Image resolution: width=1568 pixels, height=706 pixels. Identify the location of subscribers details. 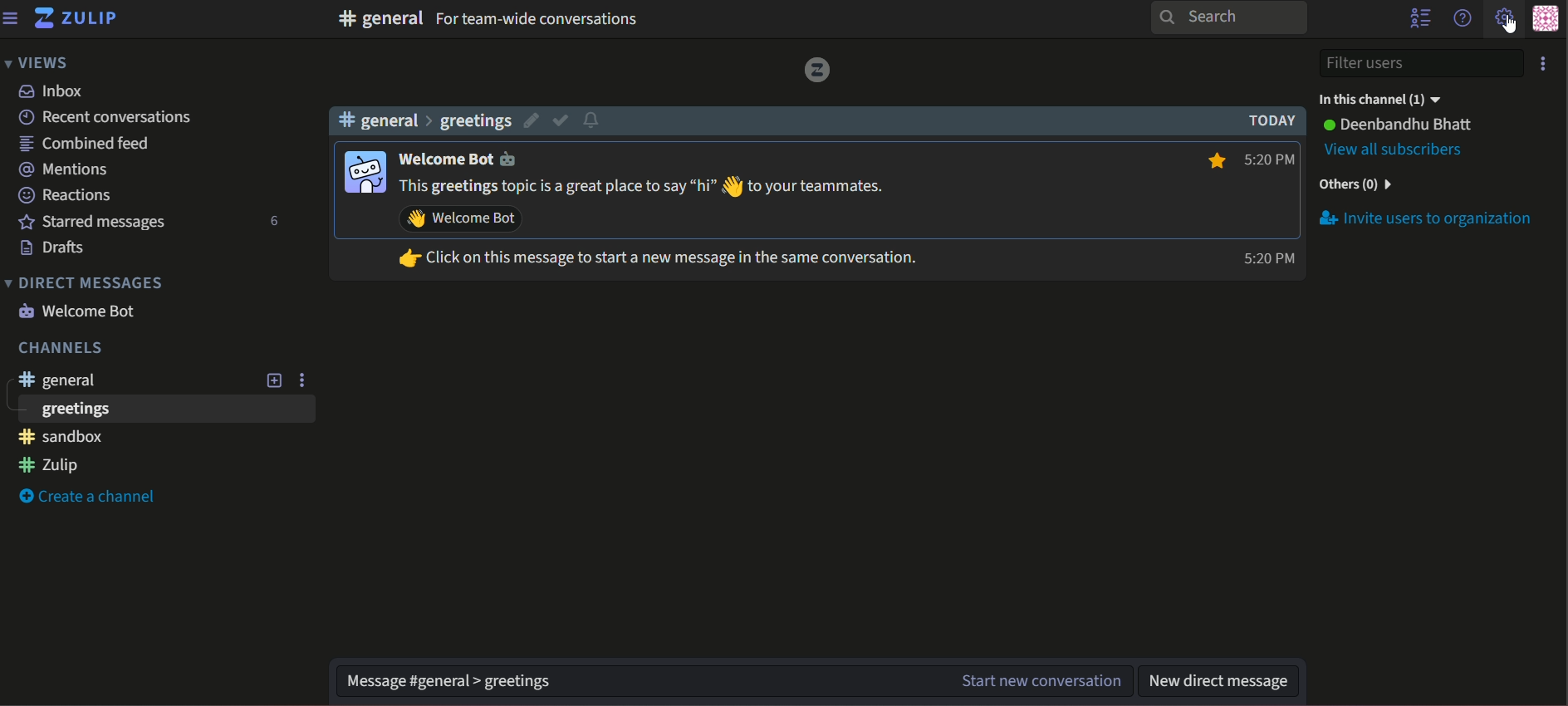
(1398, 151).